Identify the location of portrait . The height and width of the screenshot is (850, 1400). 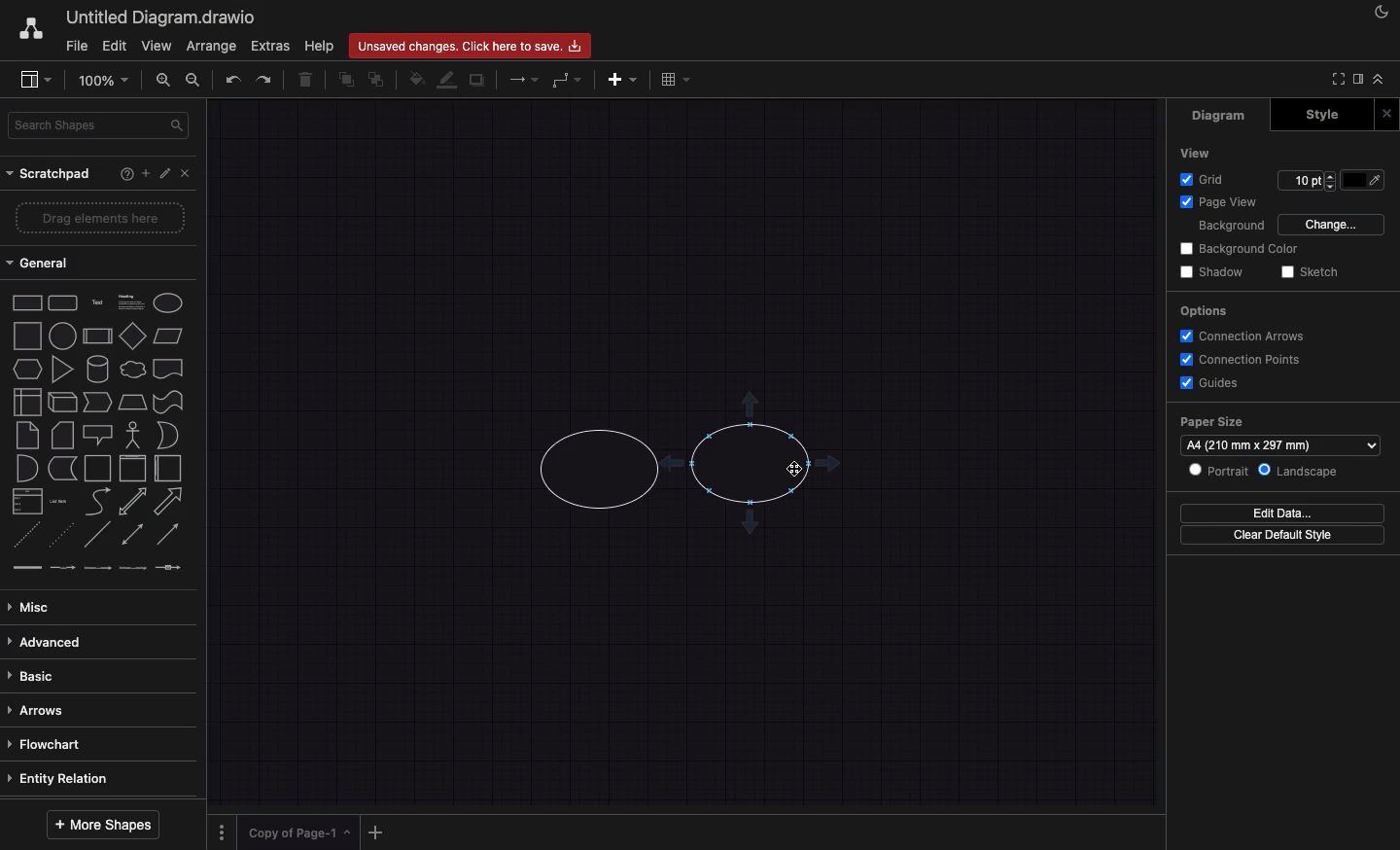
(1220, 472).